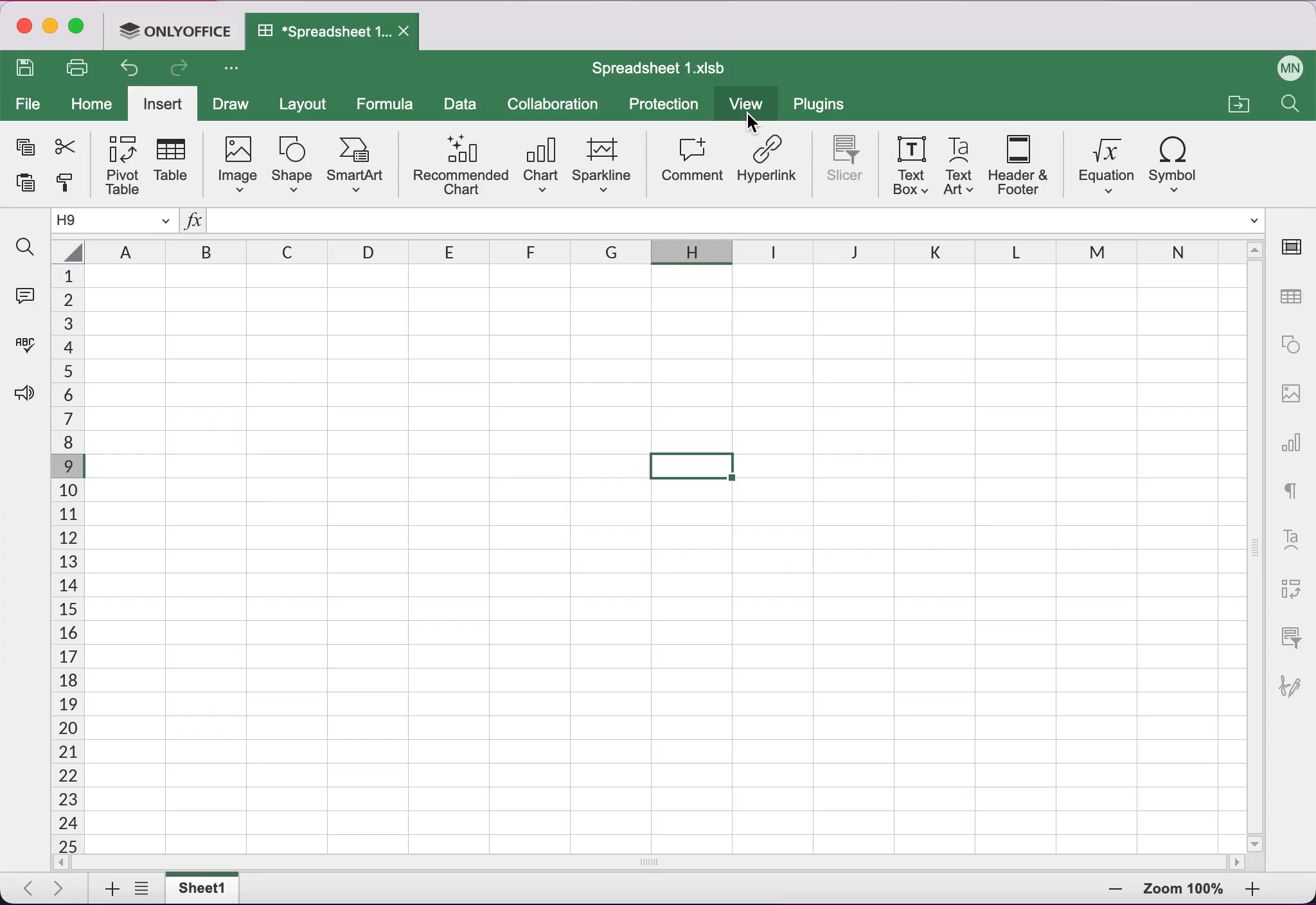 This screenshot has height=905, width=1316. Describe the element at coordinates (194, 221) in the screenshot. I see `functions` at that location.